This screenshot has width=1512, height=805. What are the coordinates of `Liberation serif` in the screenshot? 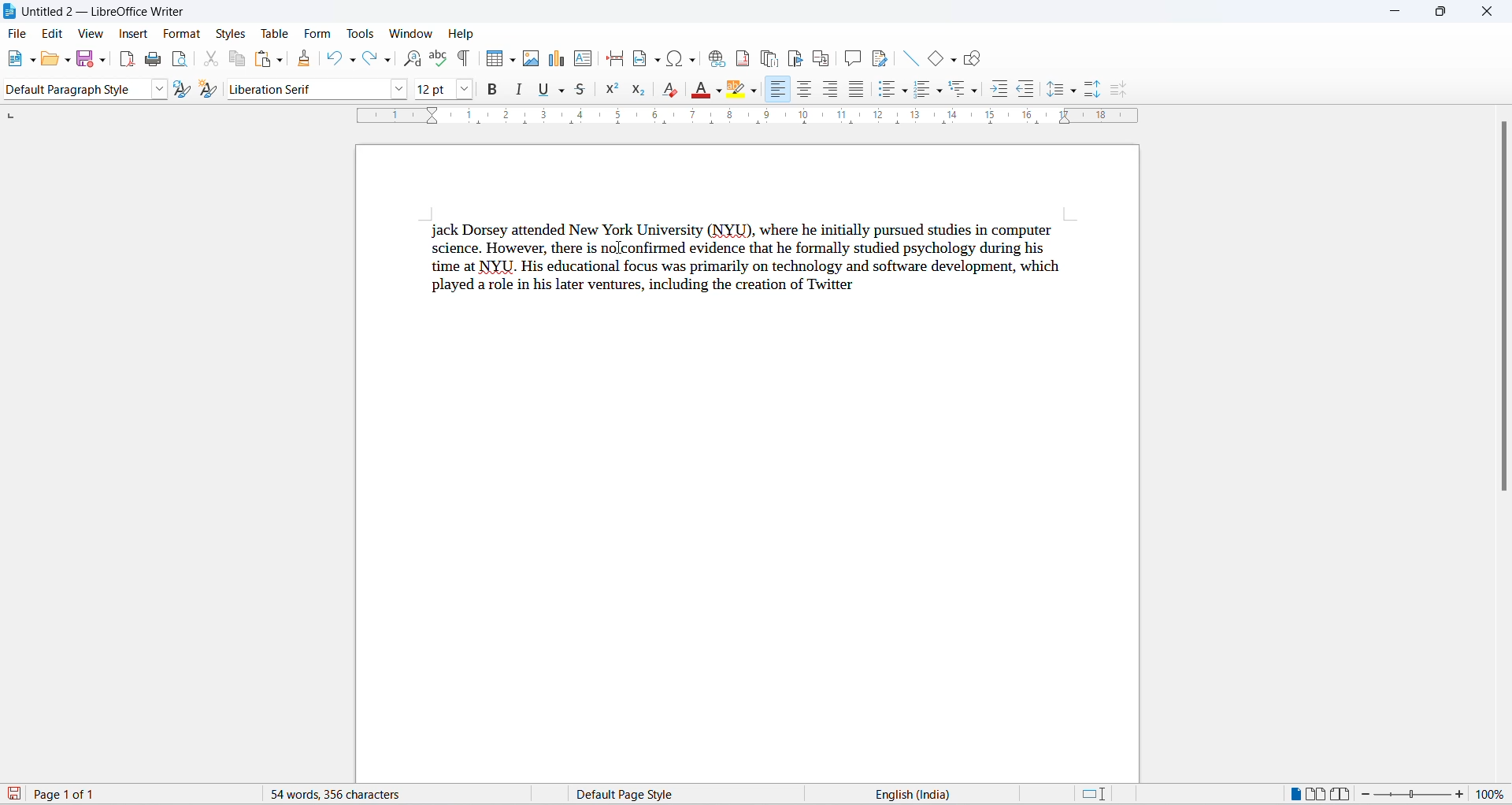 It's located at (311, 91).